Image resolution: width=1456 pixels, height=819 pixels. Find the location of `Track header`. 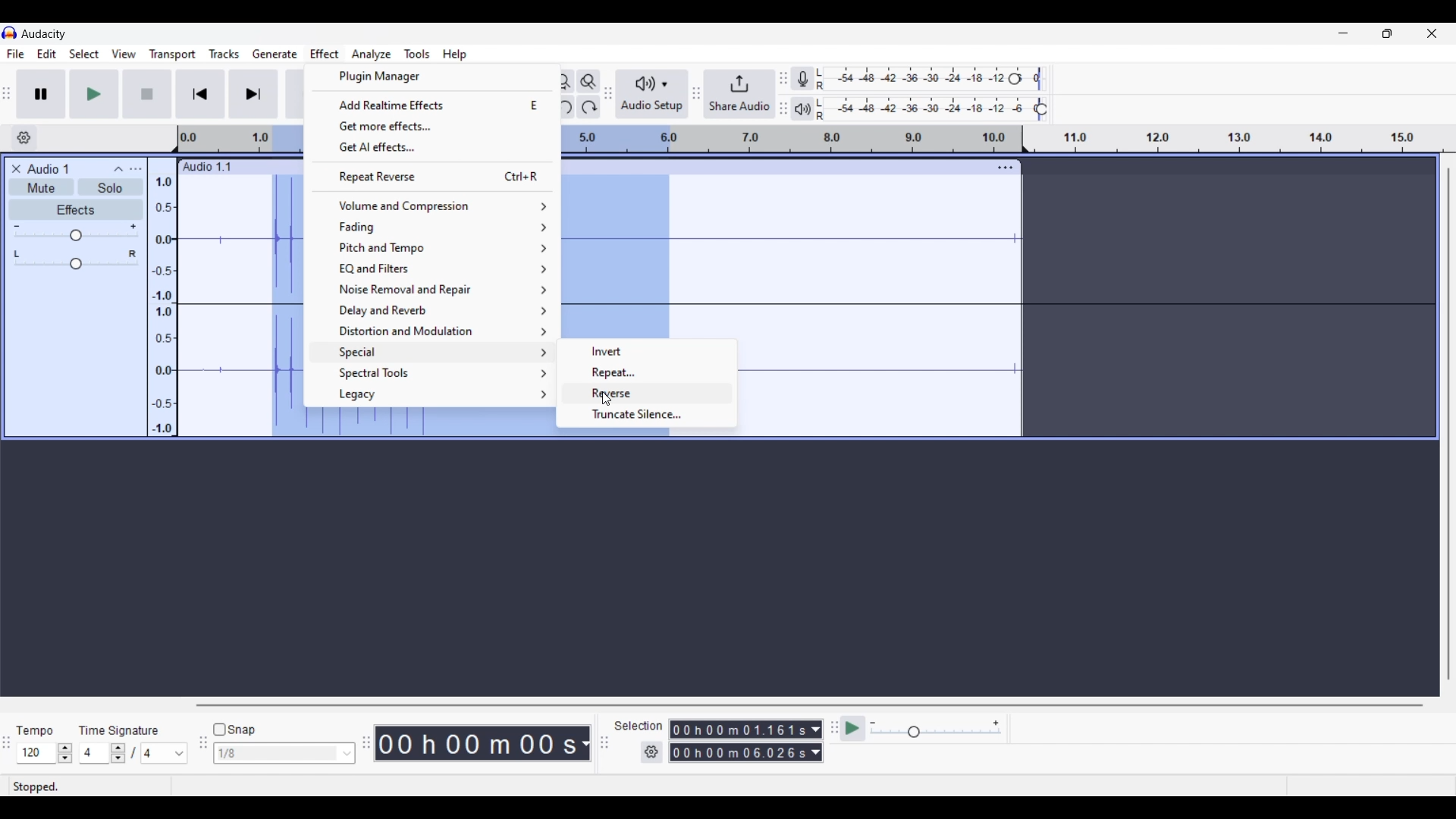

Track header is located at coordinates (1025, 140).